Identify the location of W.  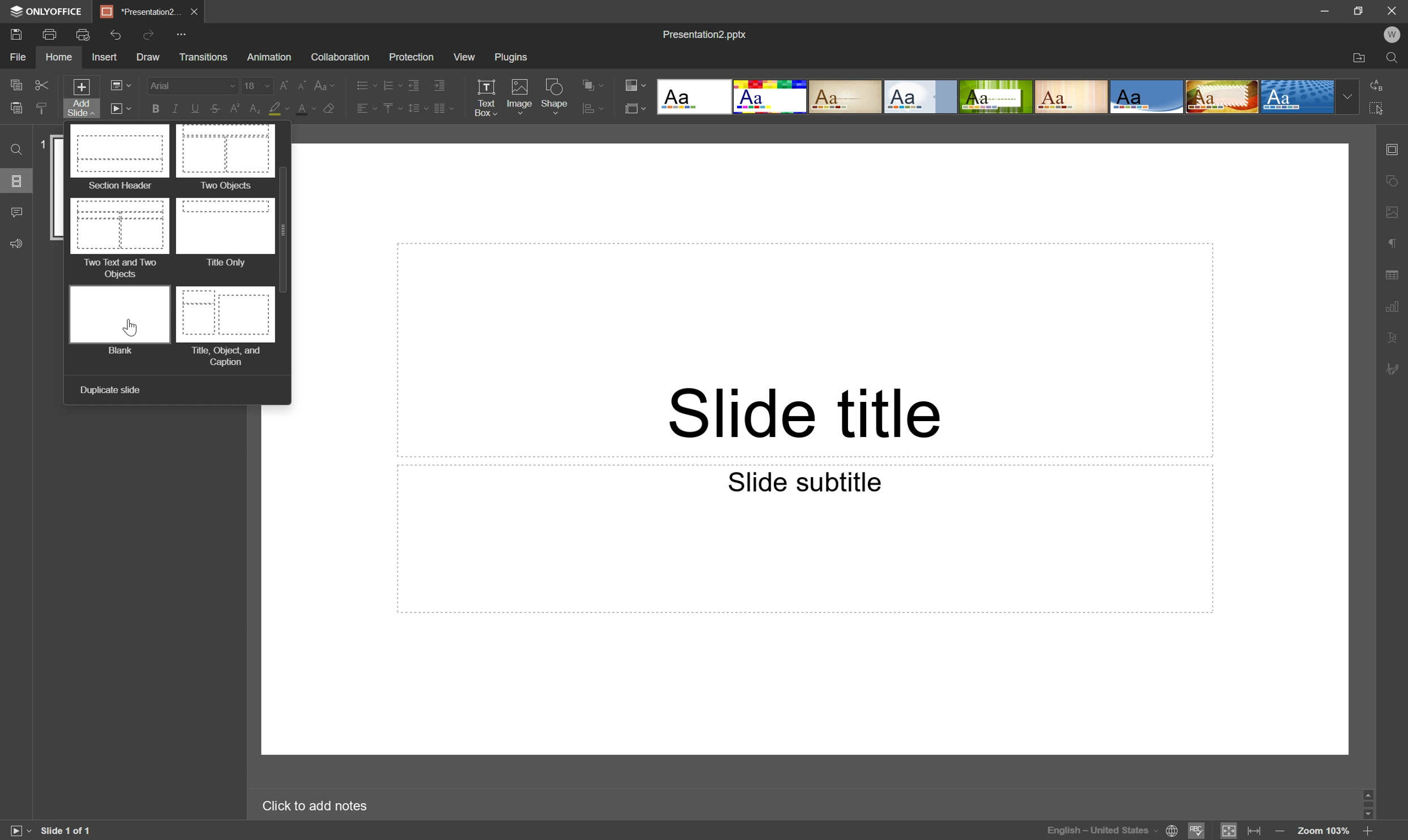
(1391, 32).